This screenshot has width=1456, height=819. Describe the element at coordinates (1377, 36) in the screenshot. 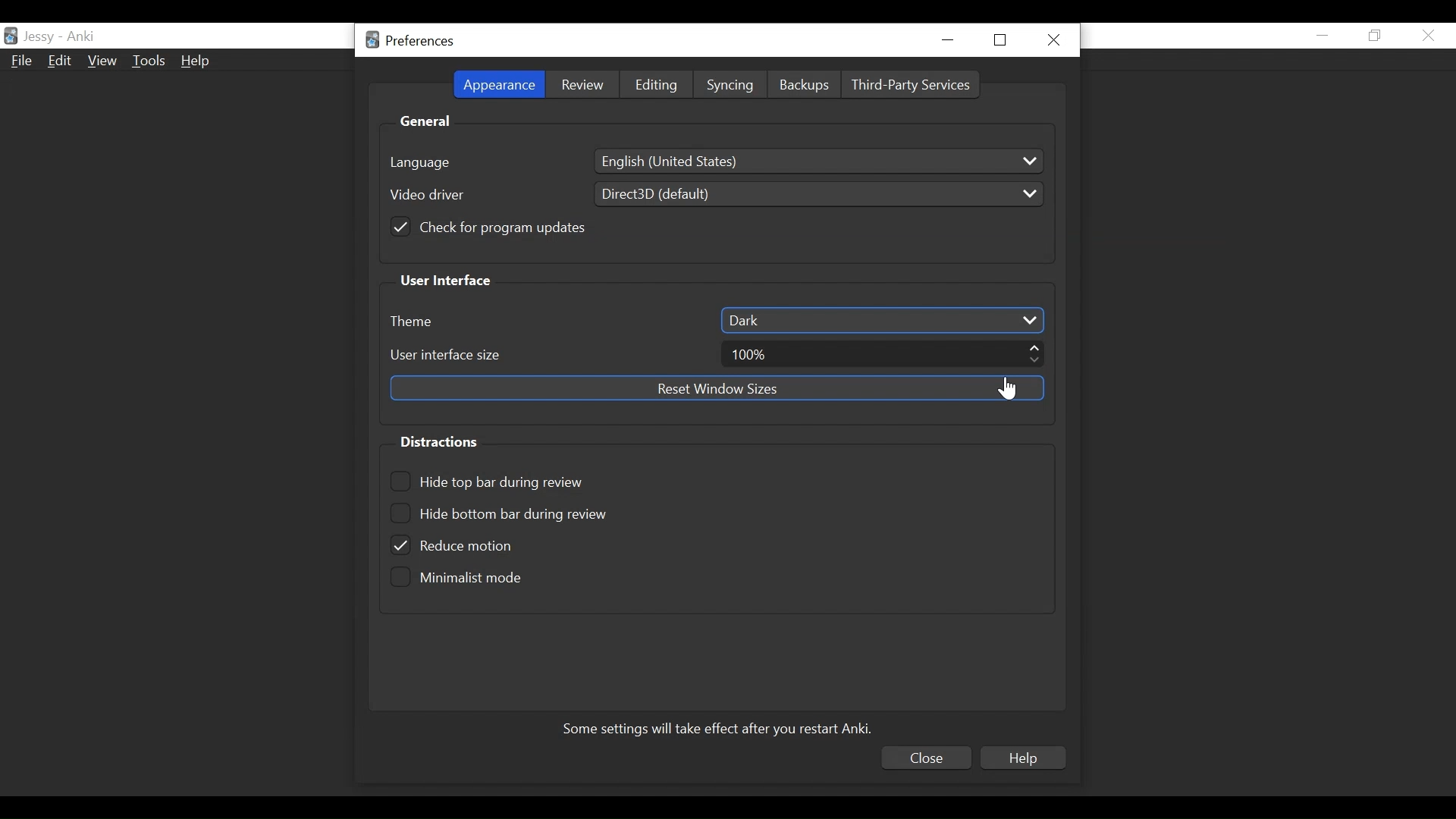

I see `Restore` at that location.